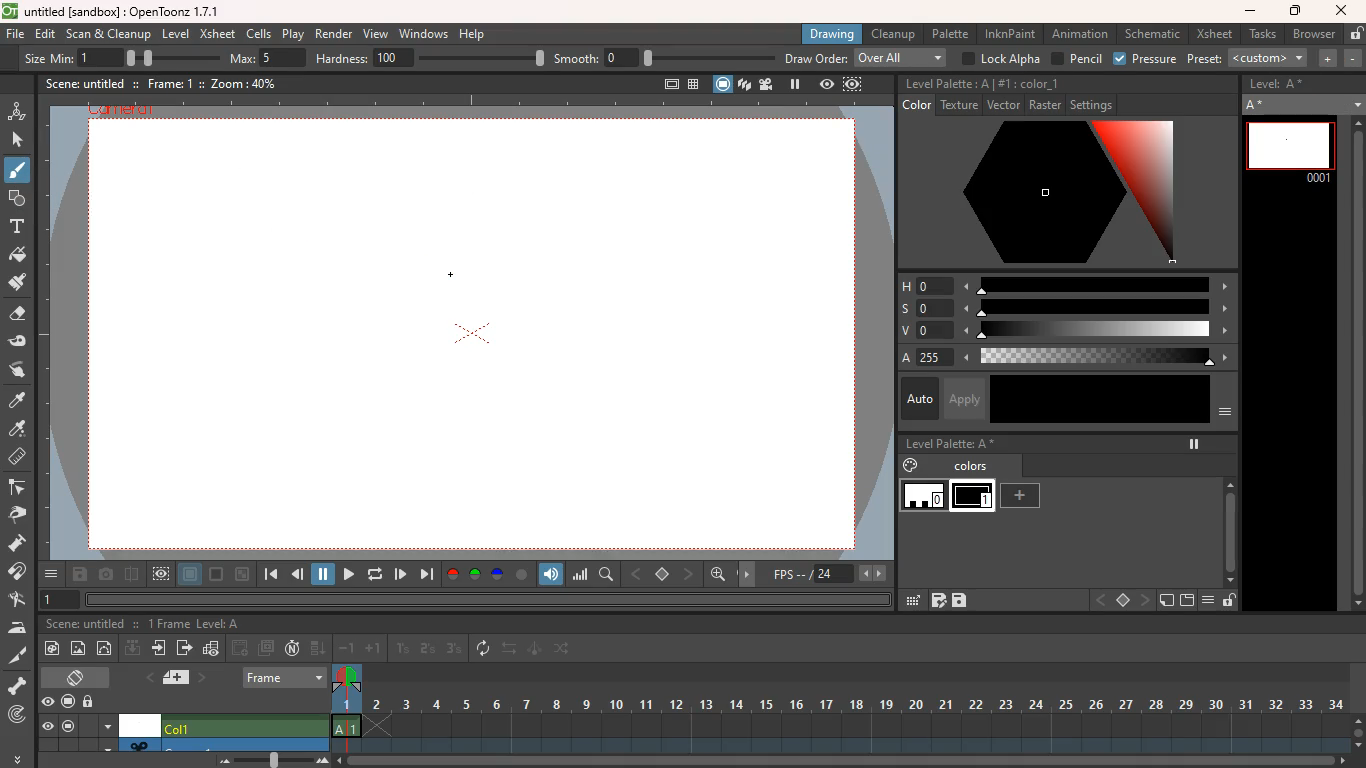 The width and height of the screenshot is (1366, 768). What do you see at coordinates (608, 575) in the screenshot?
I see `find` at bounding box center [608, 575].